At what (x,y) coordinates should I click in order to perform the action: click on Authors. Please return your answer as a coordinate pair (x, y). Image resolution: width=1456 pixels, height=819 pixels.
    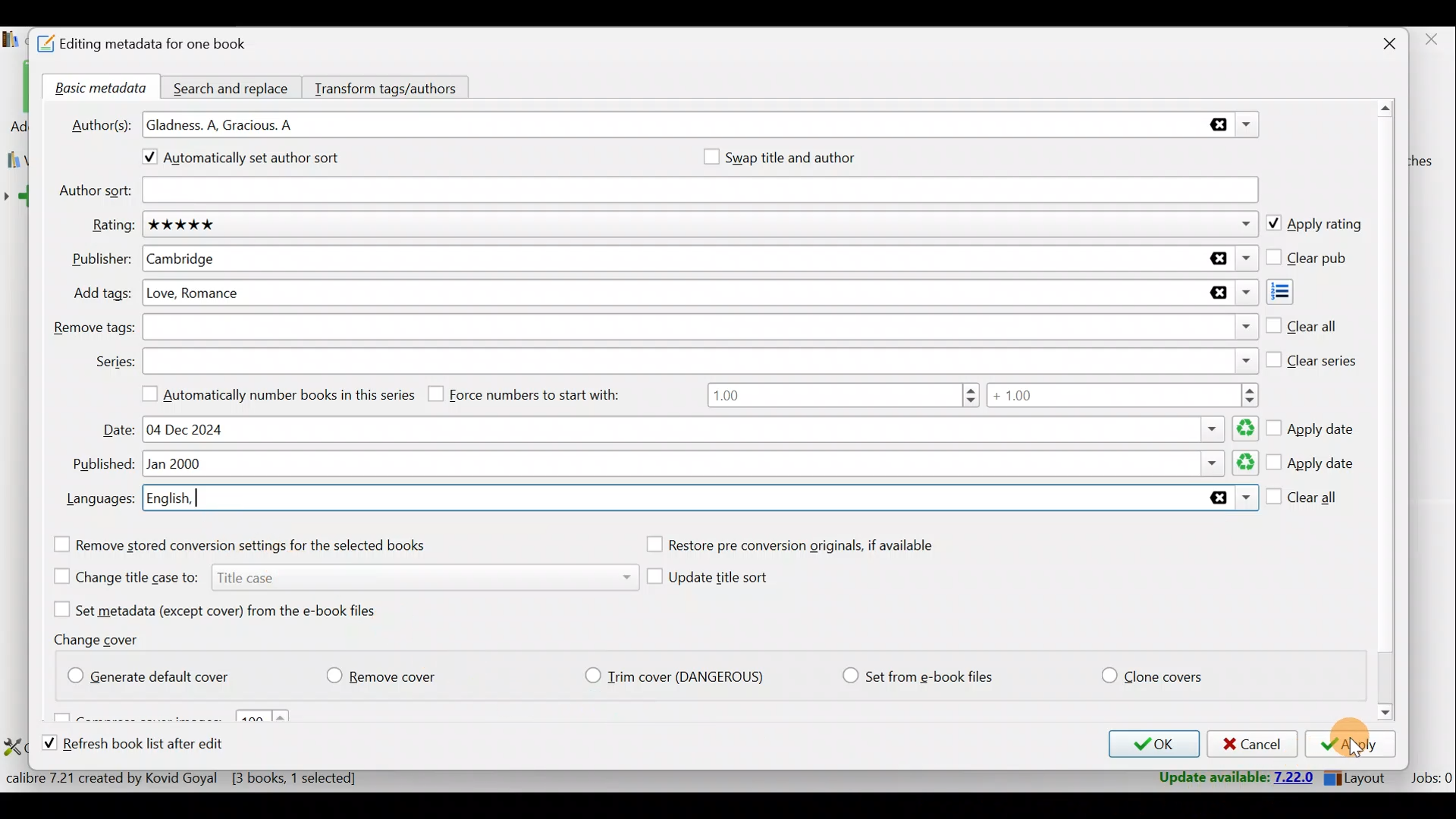
    Looking at the image, I should click on (702, 126).